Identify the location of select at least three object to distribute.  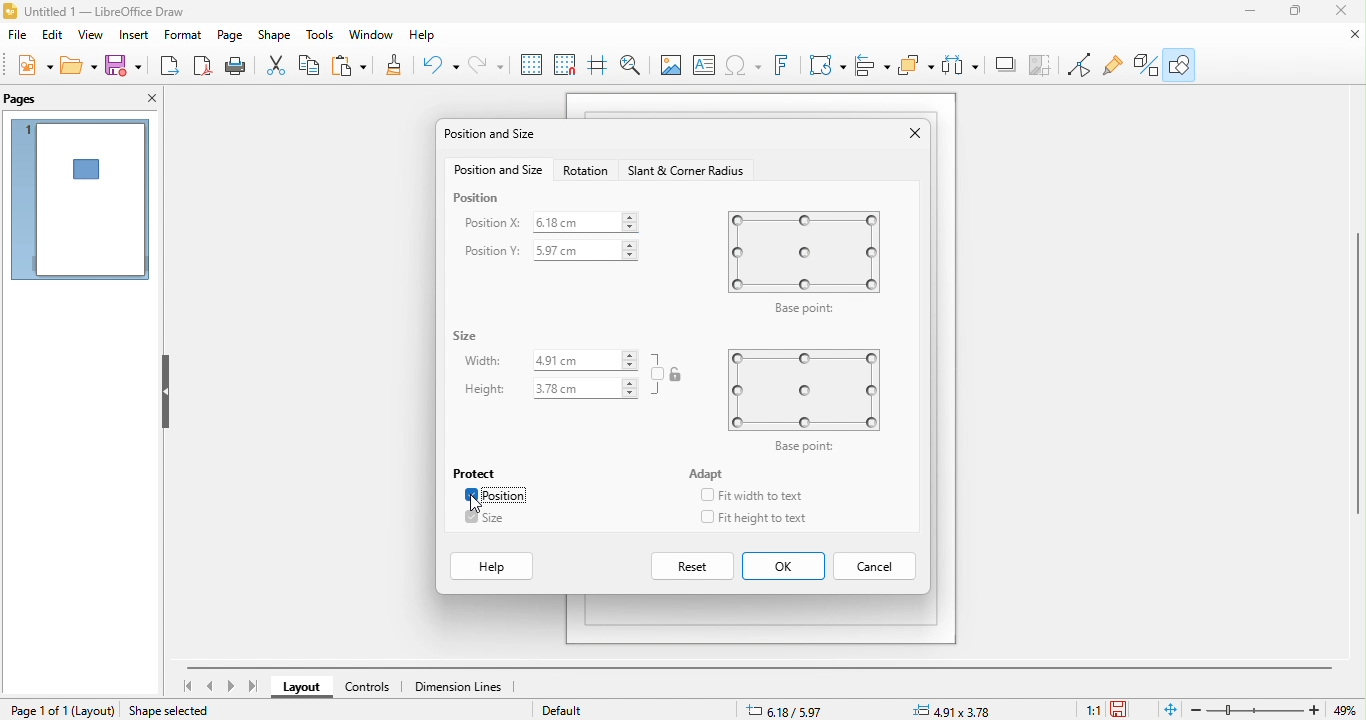
(917, 65).